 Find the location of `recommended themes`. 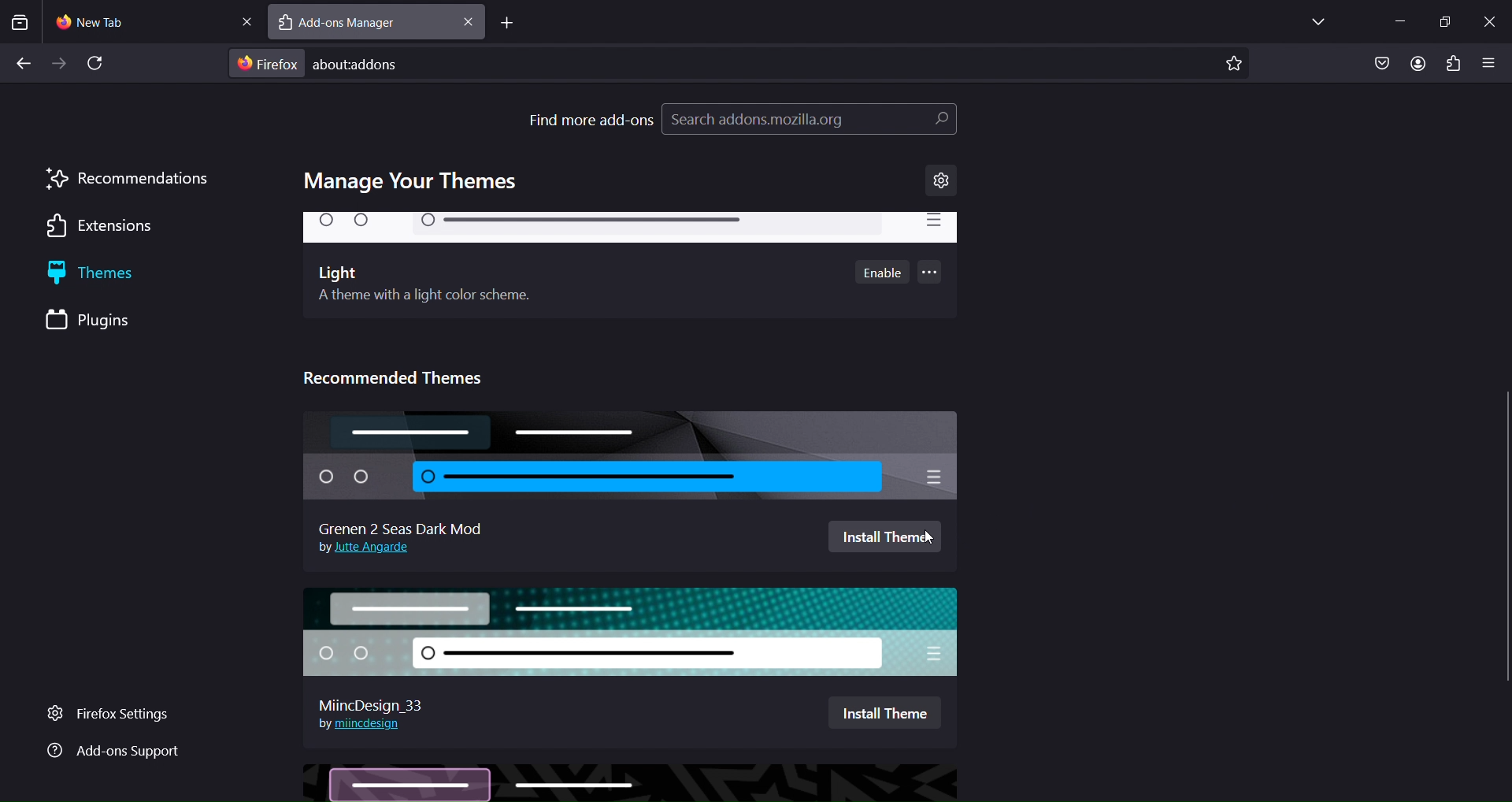

recommended themes is located at coordinates (402, 375).